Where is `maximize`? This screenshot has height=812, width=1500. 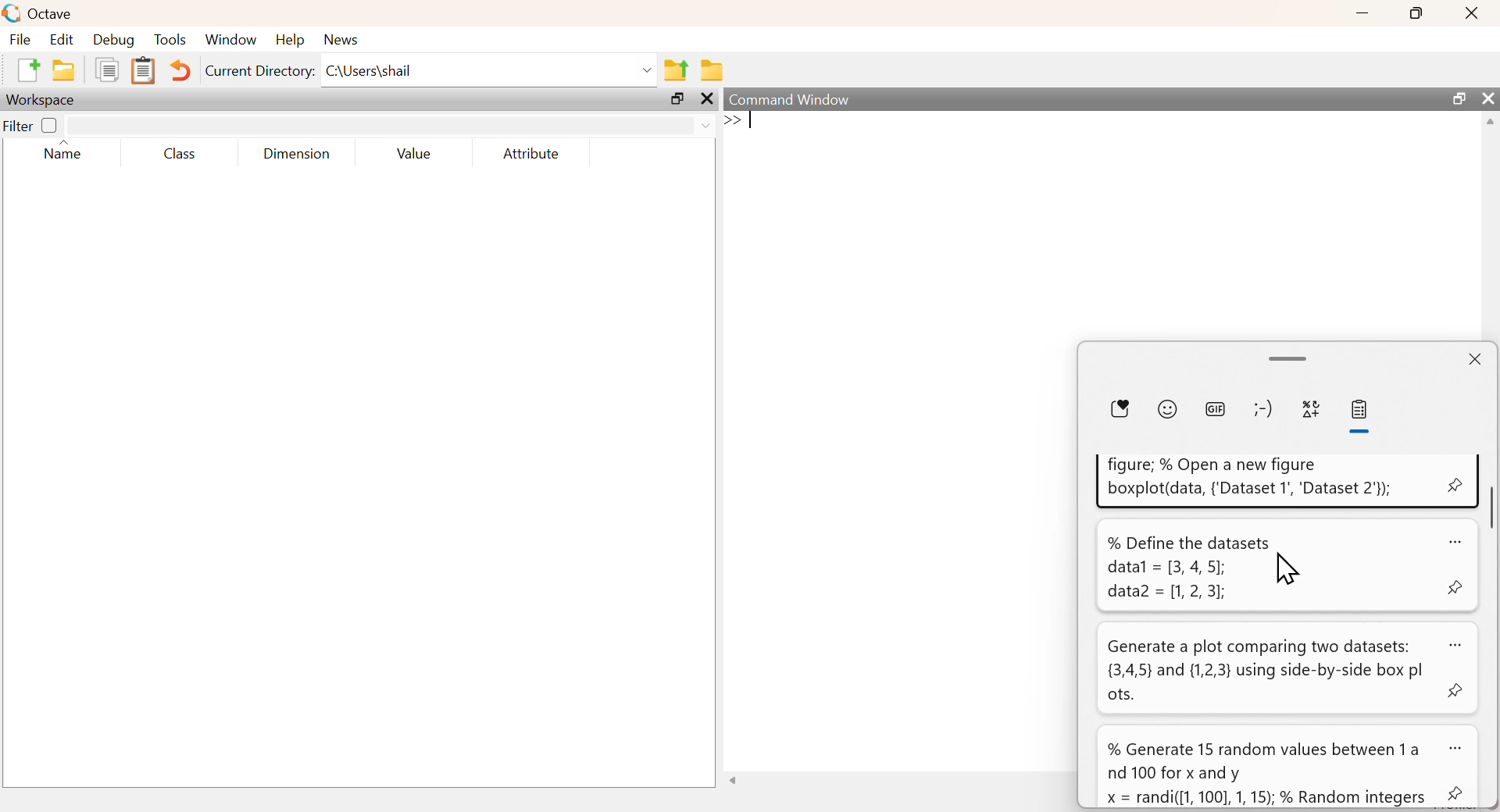 maximize is located at coordinates (1458, 98).